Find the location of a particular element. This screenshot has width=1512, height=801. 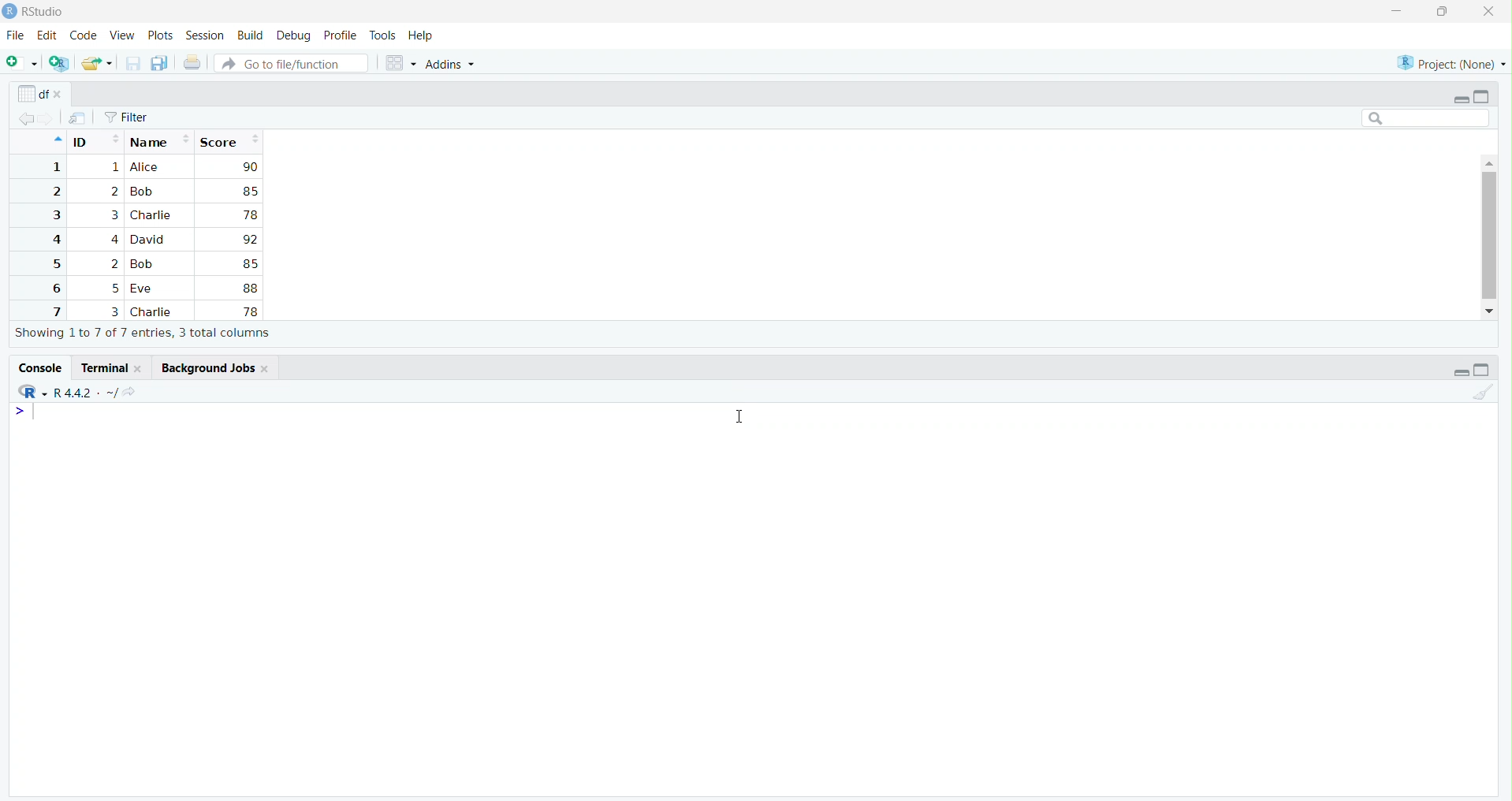

Debug is located at coordinates (295, 35).